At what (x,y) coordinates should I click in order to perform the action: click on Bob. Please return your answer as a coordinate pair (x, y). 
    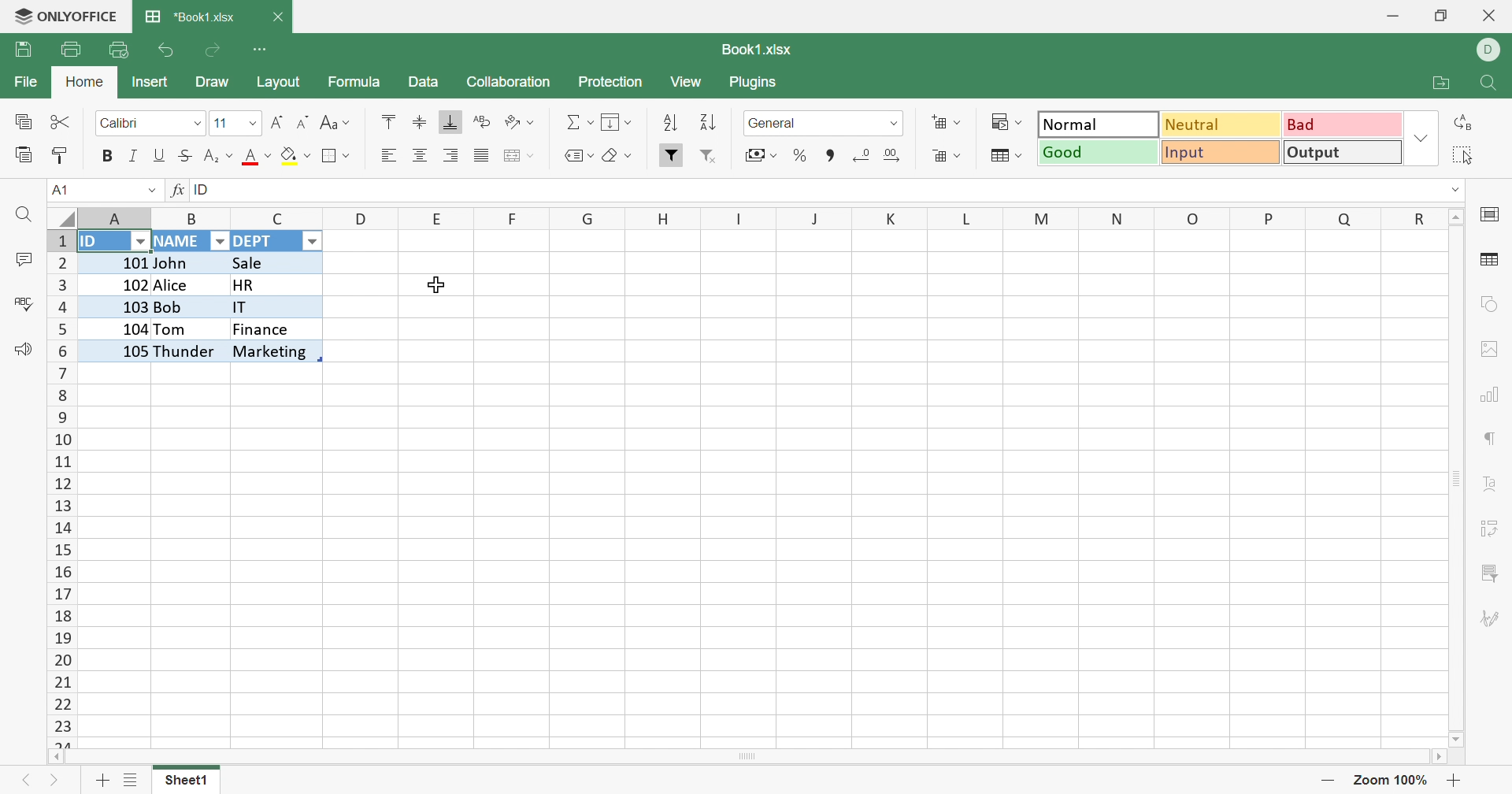
    Looking at the image, I should click on (187, 309).